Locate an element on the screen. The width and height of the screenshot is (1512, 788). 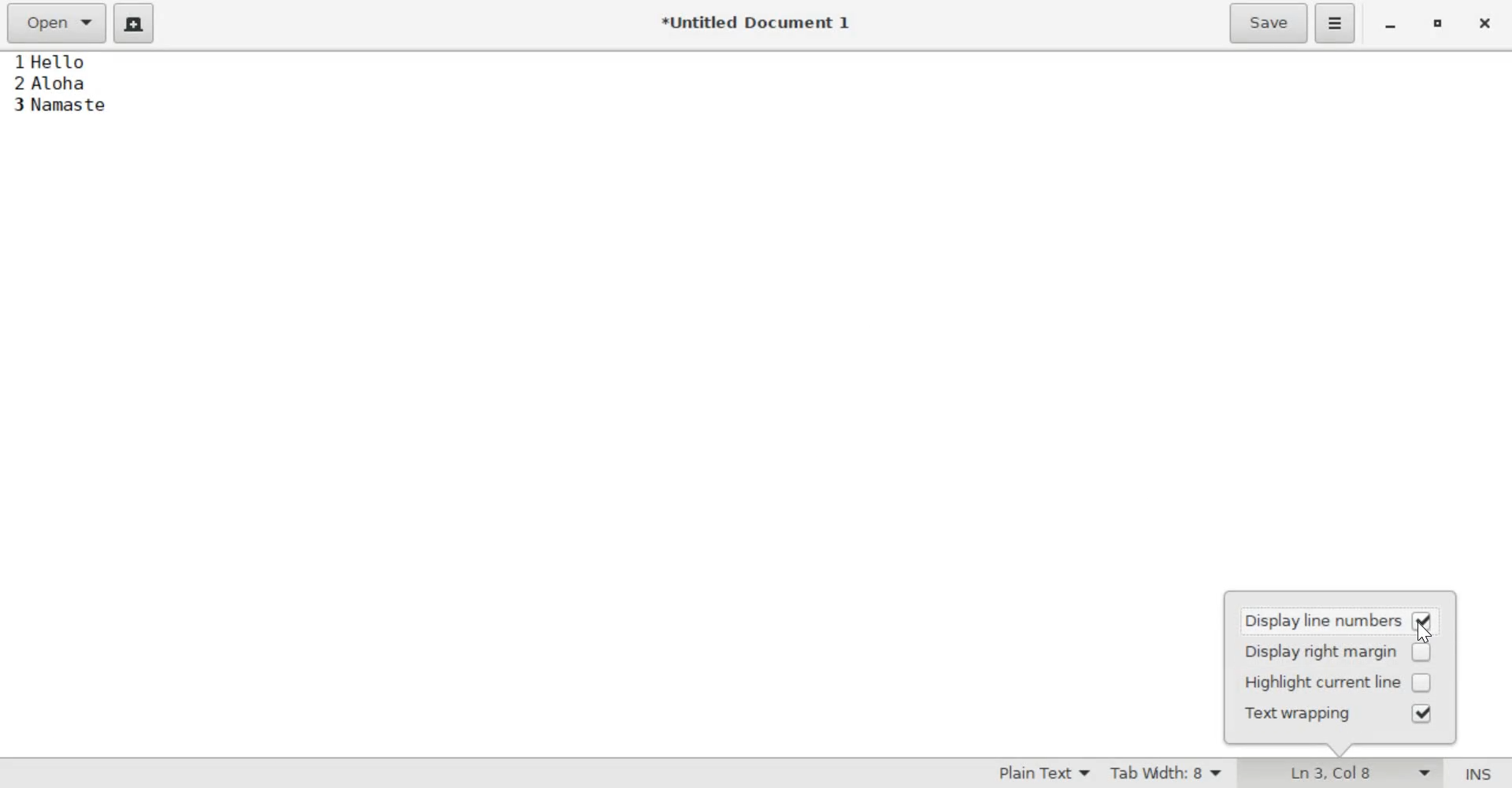
minimize is located at coordinates (1391, 24).